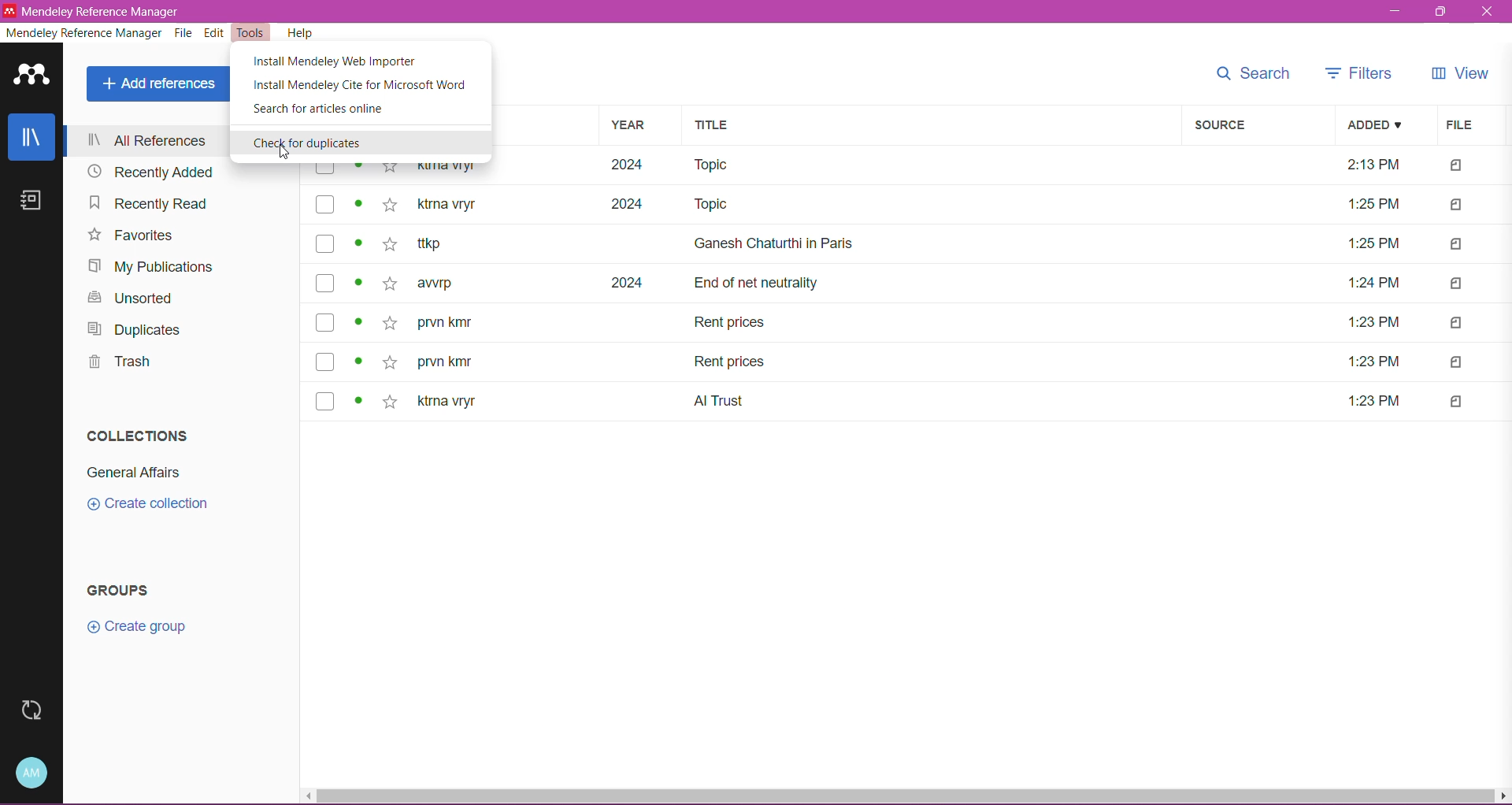 This screenshot has width=1512, height=805. Describe the element at coordinates (251, 32) in the screenshot. I see `Tools` at that location.